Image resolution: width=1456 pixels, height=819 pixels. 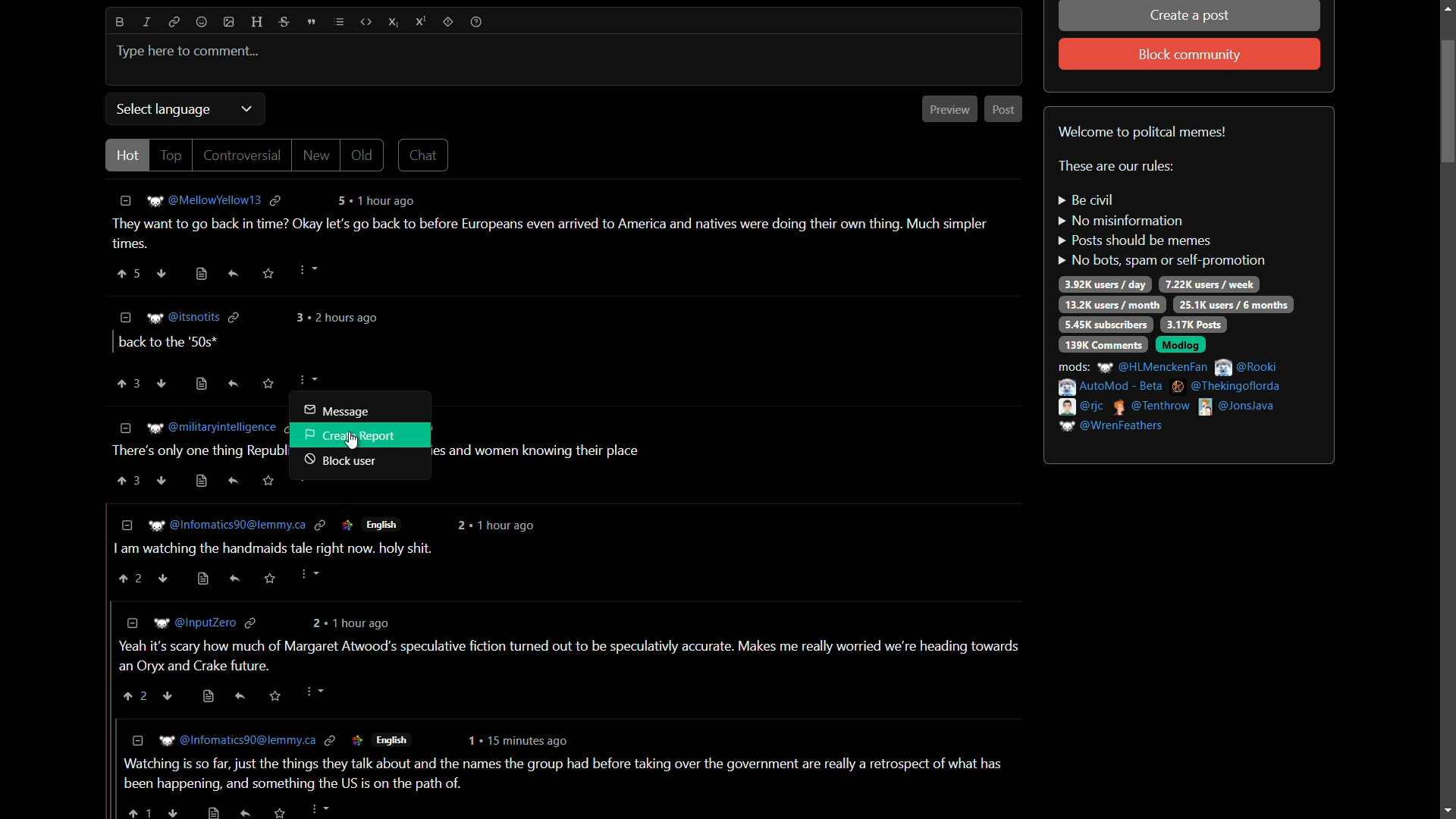 I want to click on code, so click(x=366, y=22).